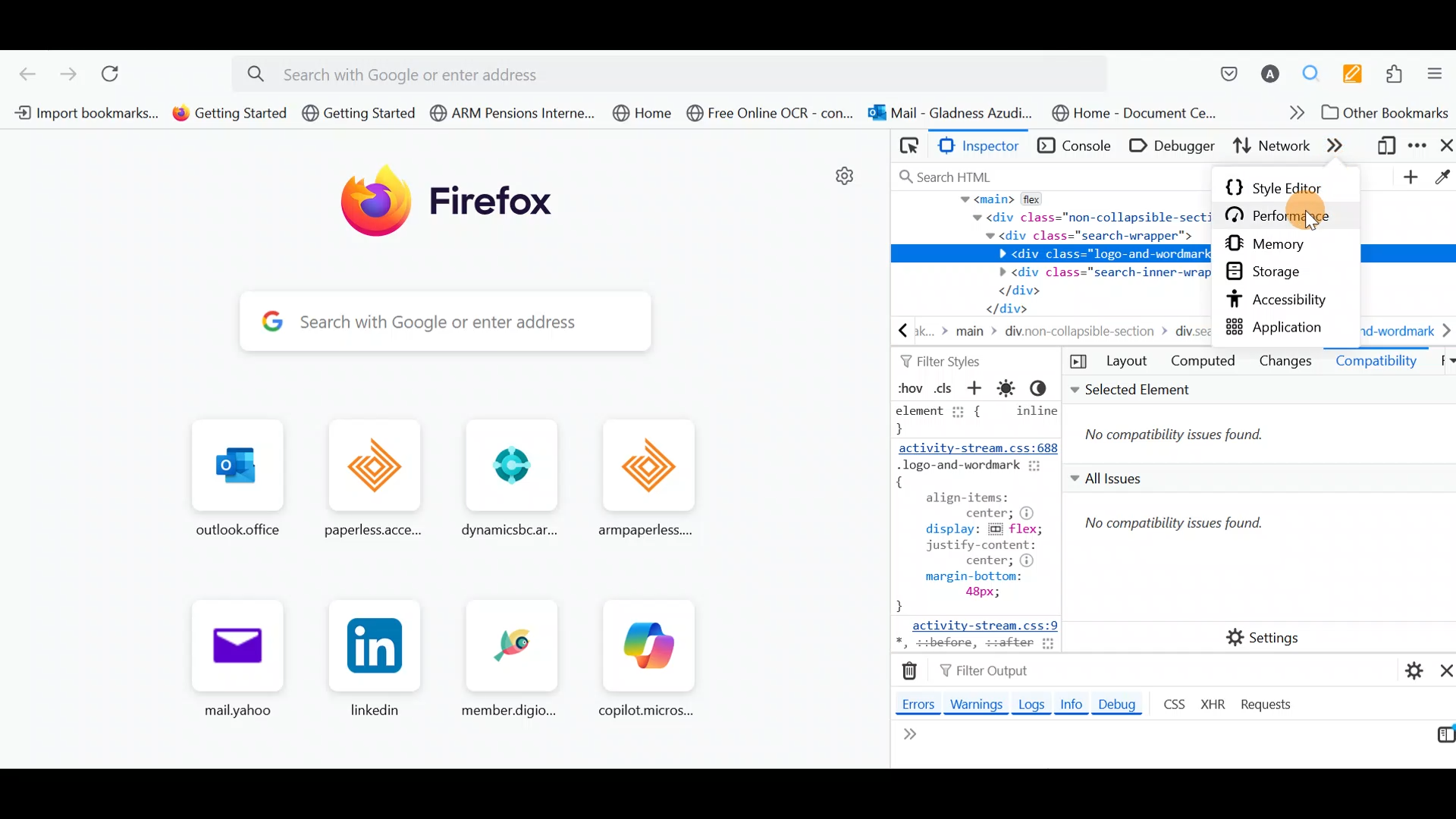 The image size is (1456, 819). What do you see at coordinates (1294, 215) in the screenshot?
I see `Performance` at bounding box center [1294, 215].